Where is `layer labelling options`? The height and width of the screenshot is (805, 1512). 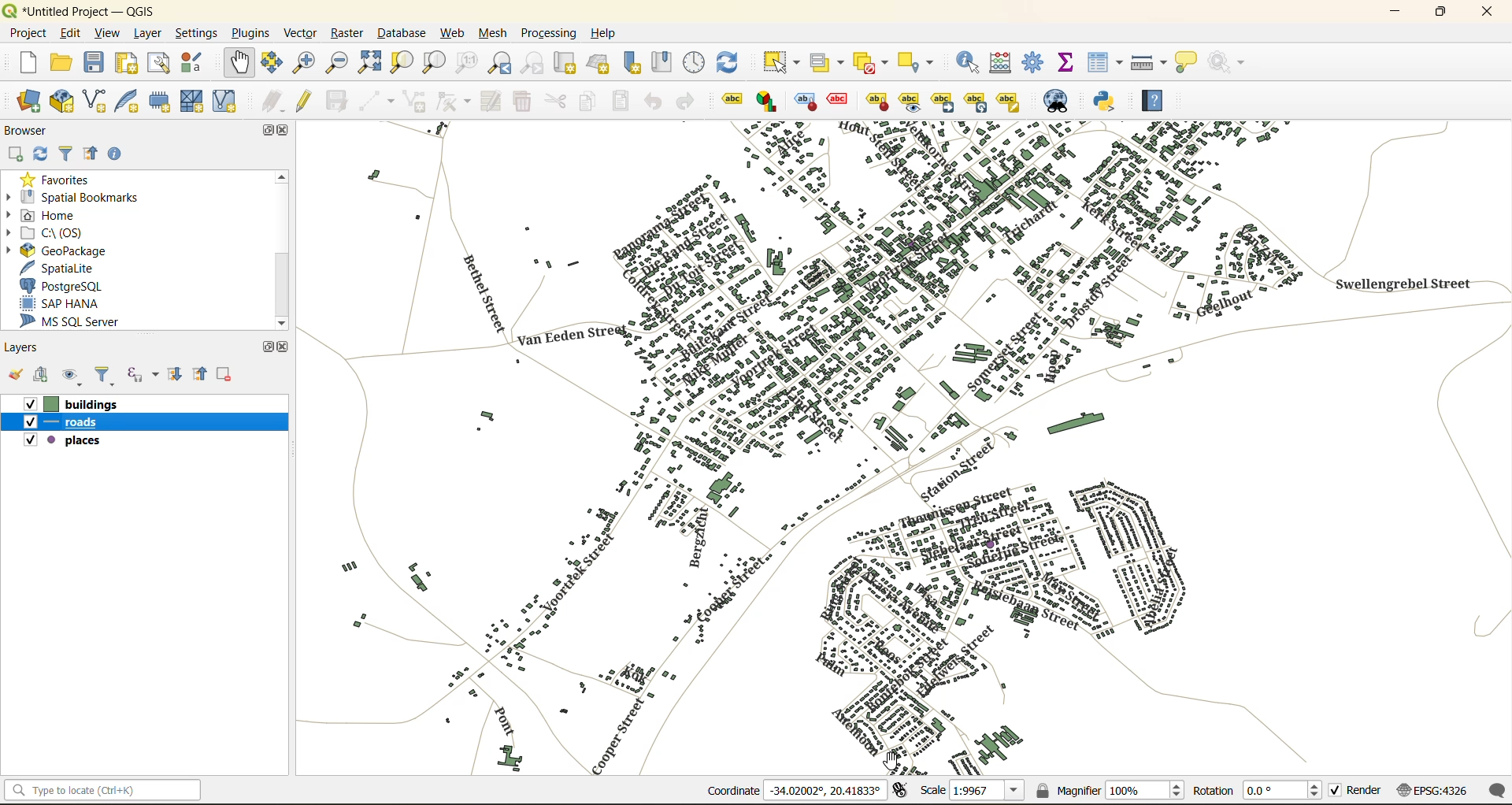
layer labelling options is located at coordinates (732, 97).